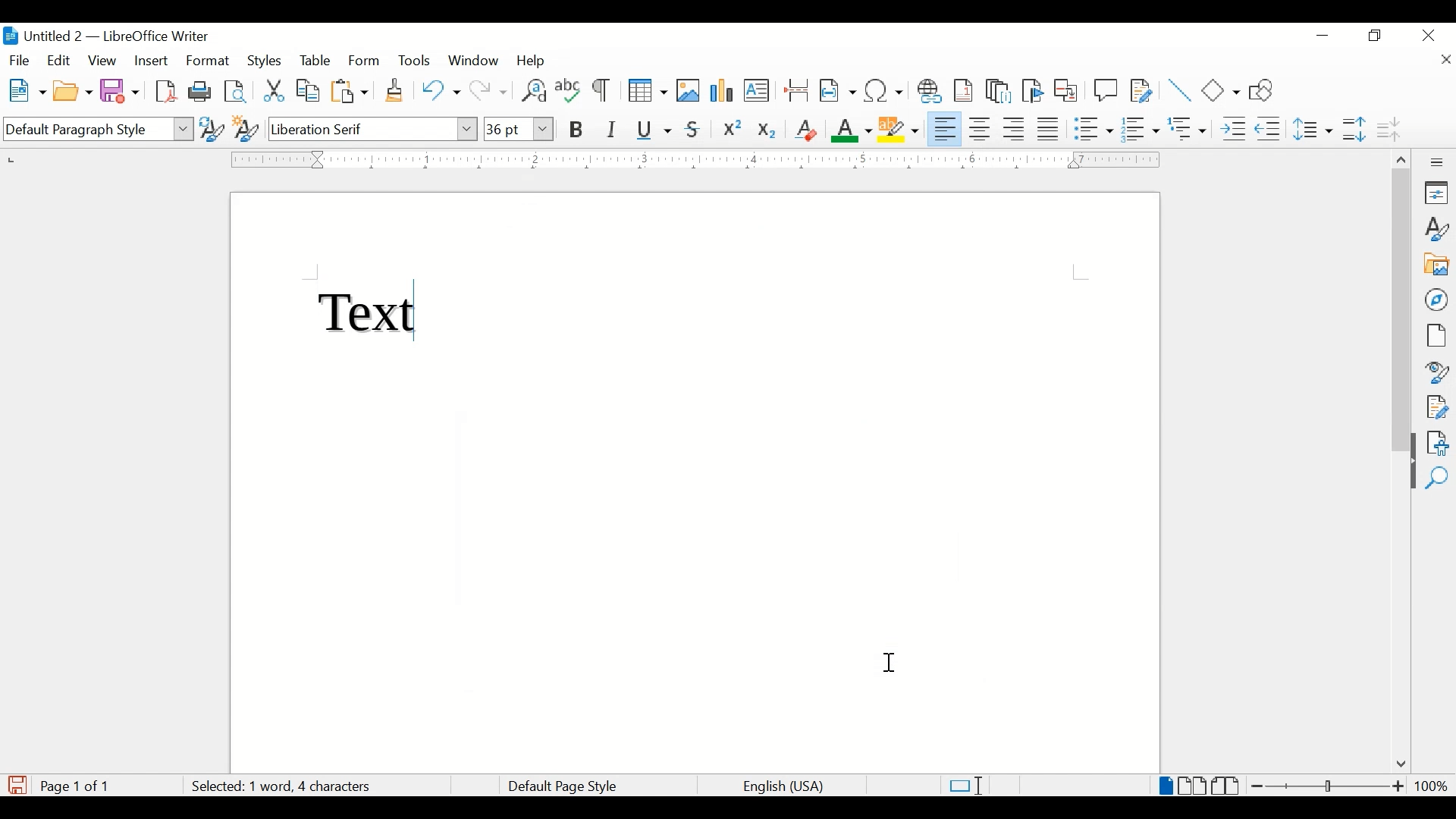 The height and width of the screenshot is (819, 1456). Describe the element at coordinates (104, 61) in the screenshot. I see `view` at that location.